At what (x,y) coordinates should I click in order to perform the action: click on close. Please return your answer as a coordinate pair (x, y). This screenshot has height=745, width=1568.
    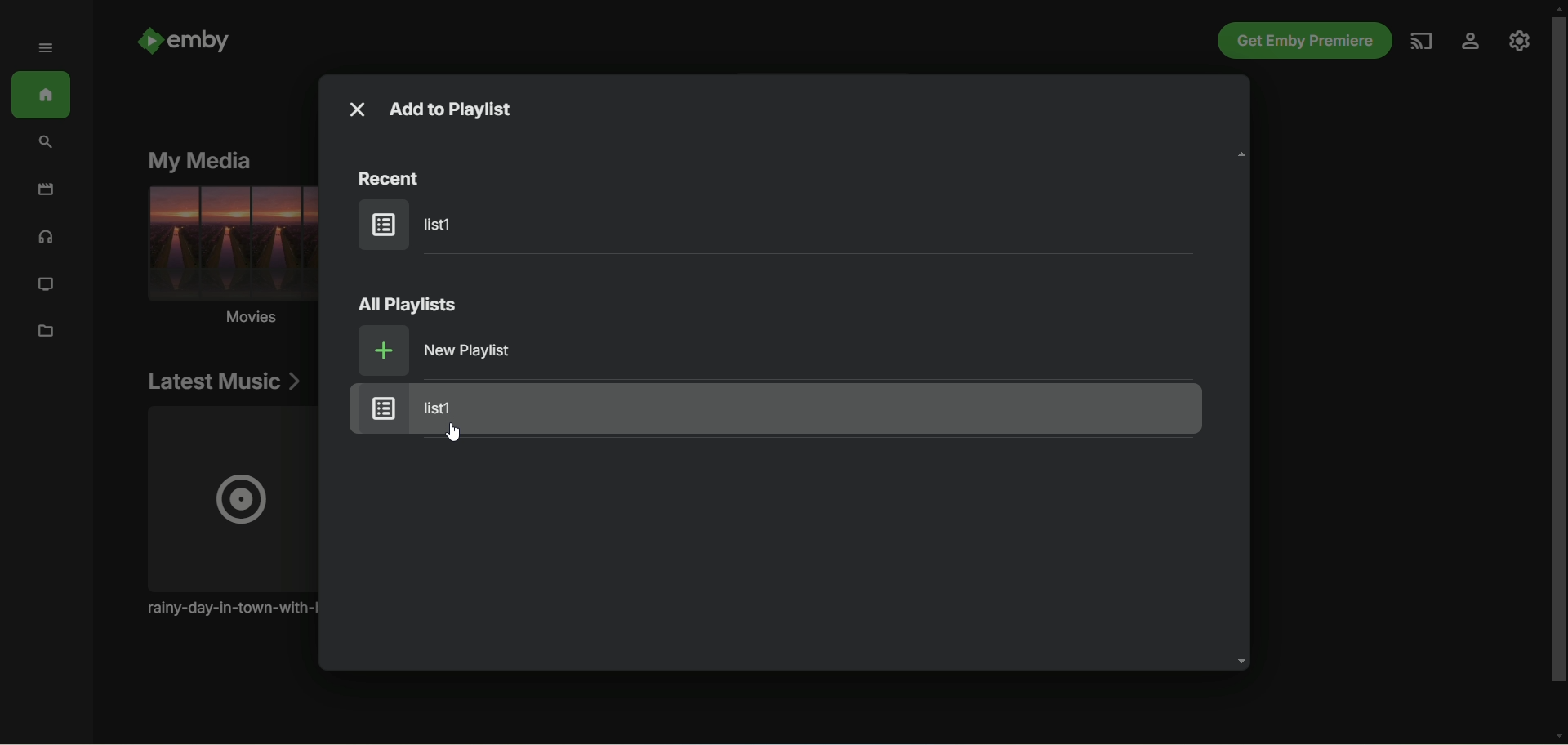
    Looking at the image, I should click on (359, 109).